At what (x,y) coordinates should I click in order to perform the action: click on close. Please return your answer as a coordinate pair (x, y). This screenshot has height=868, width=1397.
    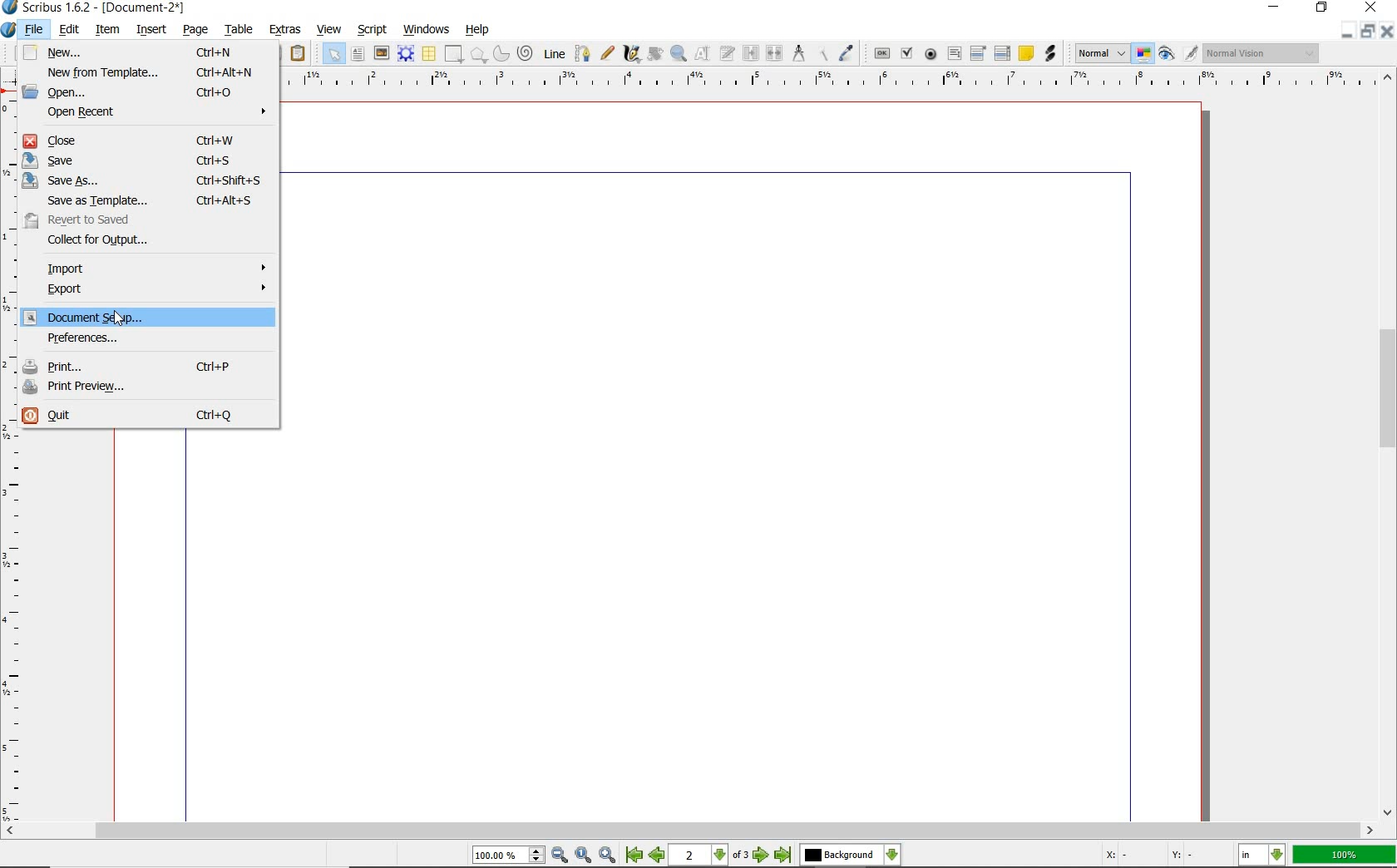
    Looking at the image, I should click on (1370, 8).